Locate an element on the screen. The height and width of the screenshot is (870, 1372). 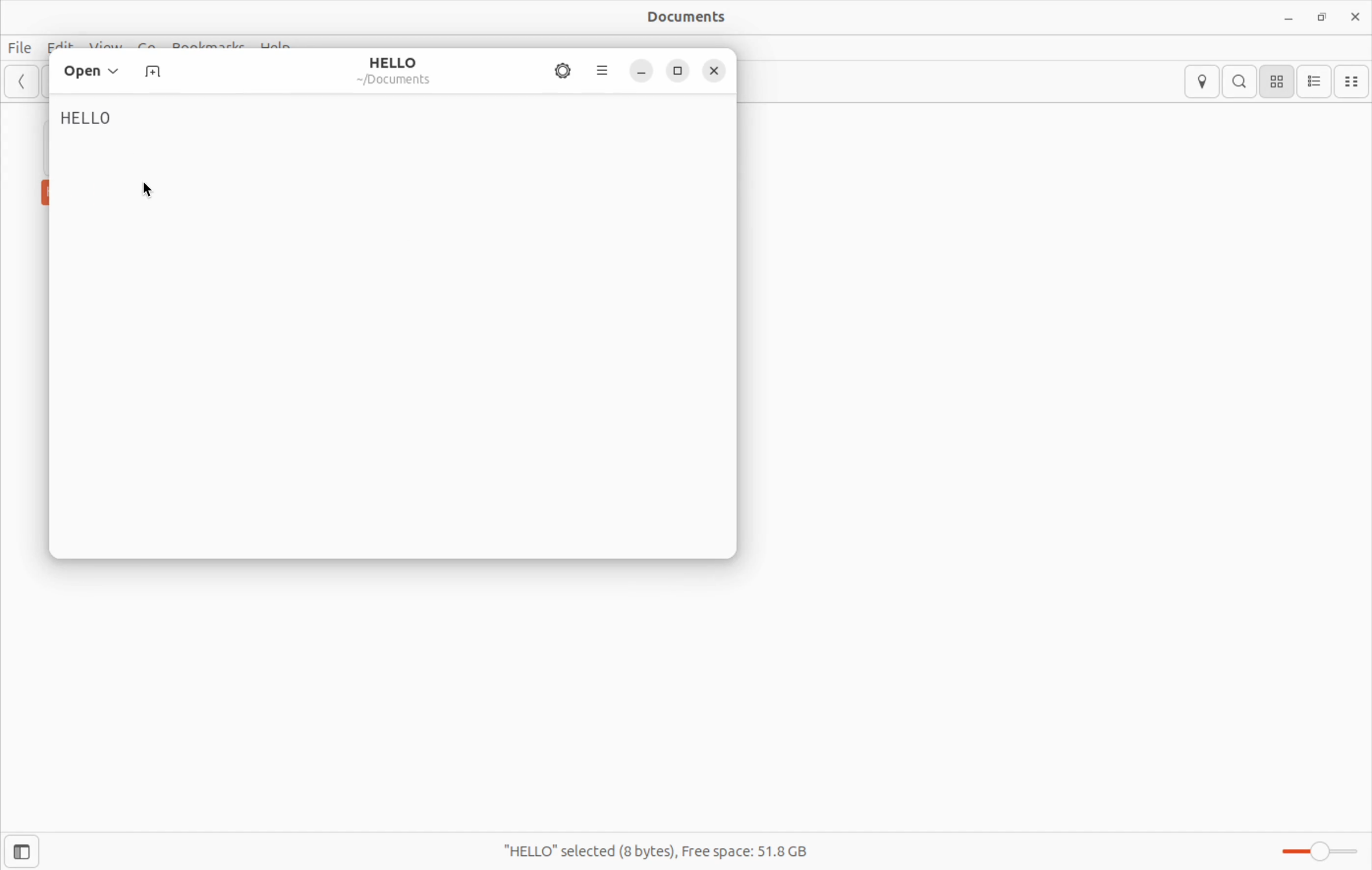
minimize is located at coordinates (1288, 18).